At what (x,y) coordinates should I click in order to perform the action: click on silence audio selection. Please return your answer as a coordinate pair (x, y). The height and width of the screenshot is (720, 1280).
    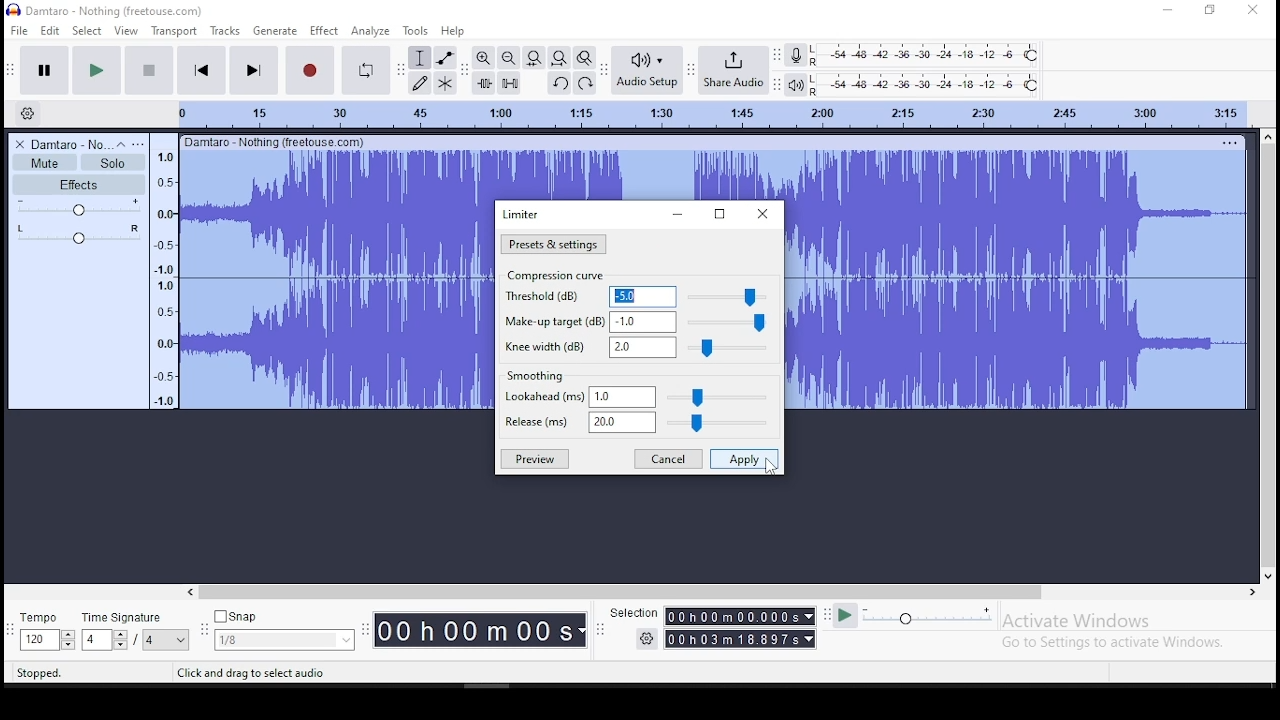
    Looking at the image, I should click on (510, 82).